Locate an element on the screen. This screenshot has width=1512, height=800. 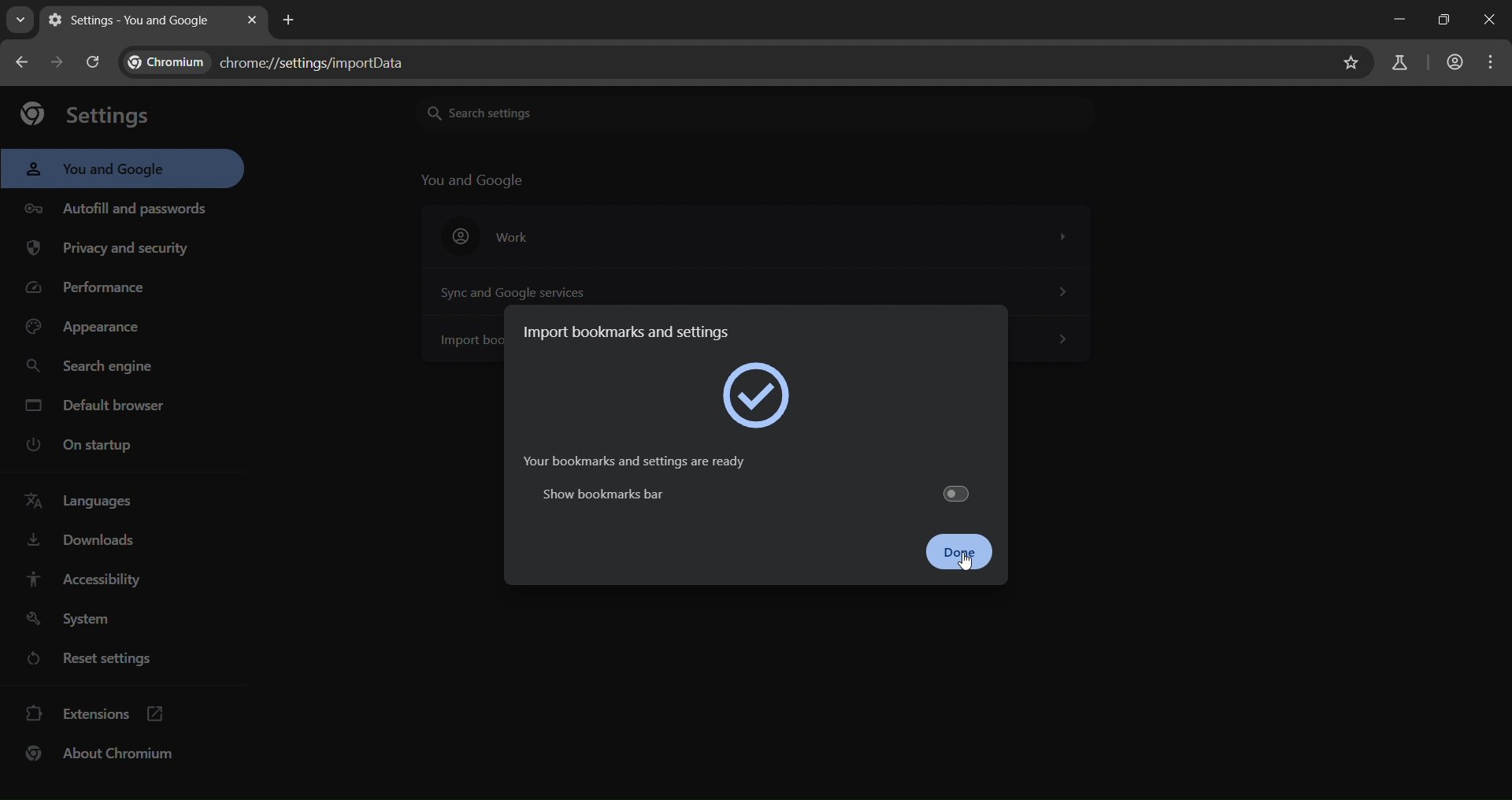
ystem is located at coordinates (75, 619).